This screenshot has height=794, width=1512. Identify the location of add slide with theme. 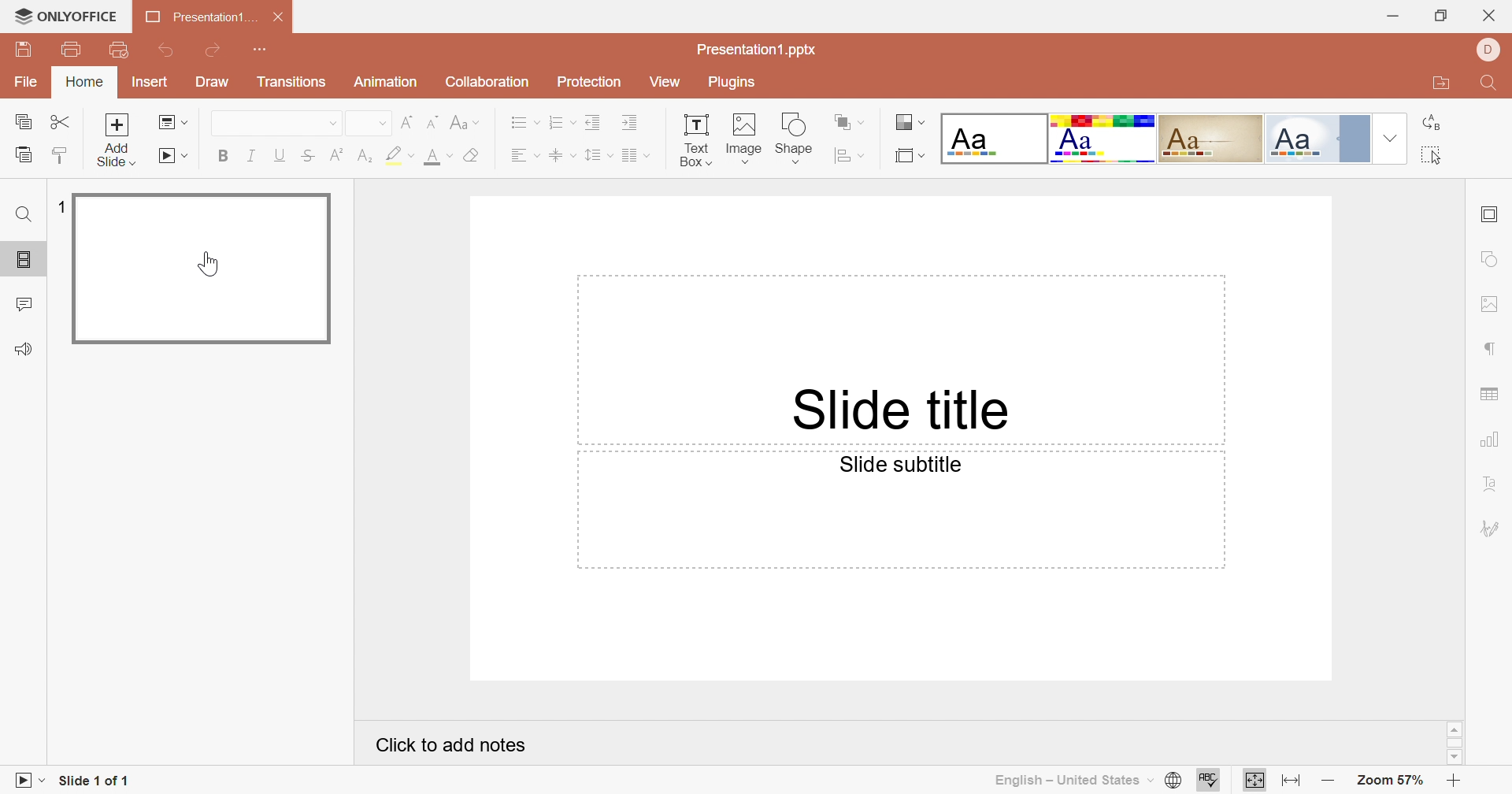
(116, 157).